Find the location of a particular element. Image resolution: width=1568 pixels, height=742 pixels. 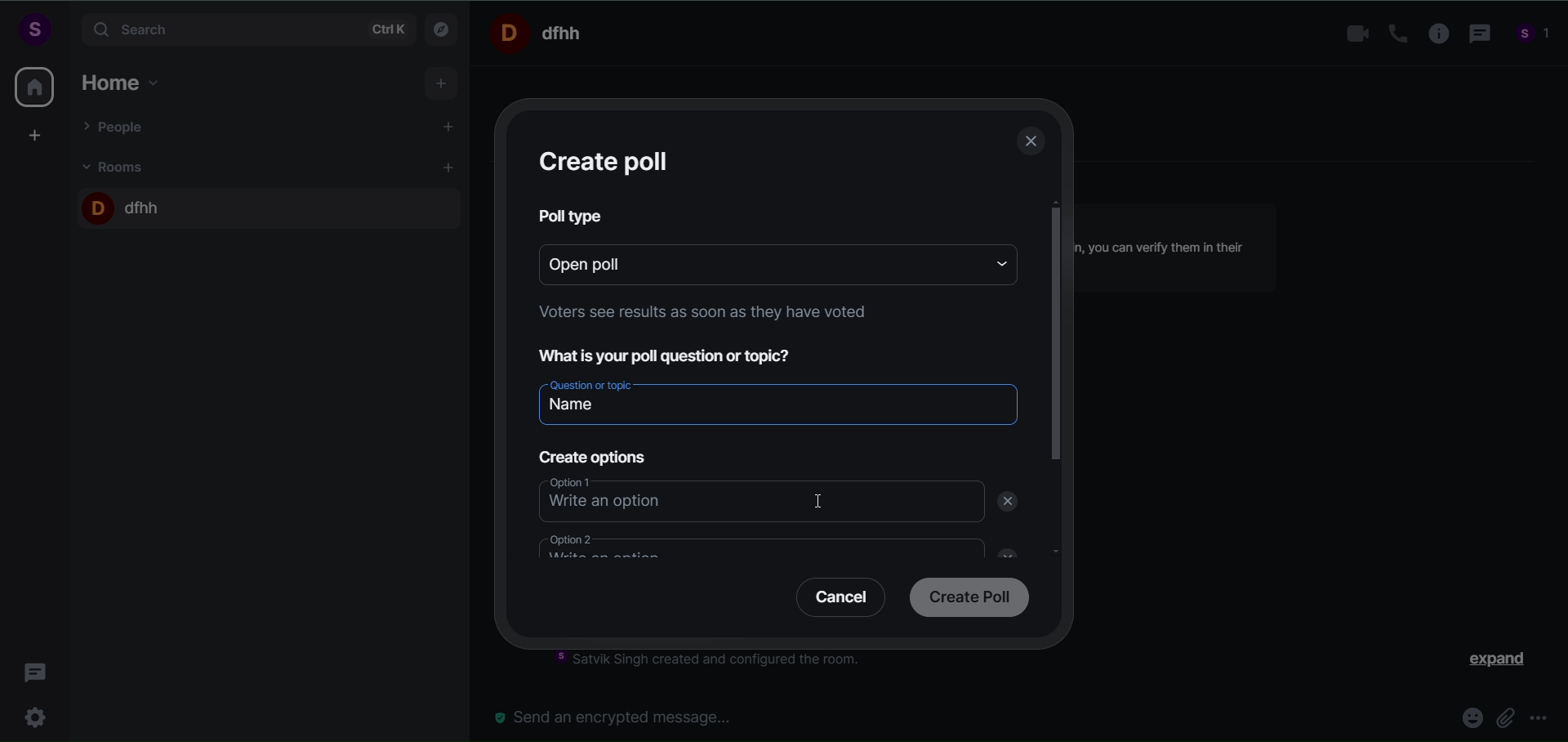

room name is located at coordinates (125, 204).